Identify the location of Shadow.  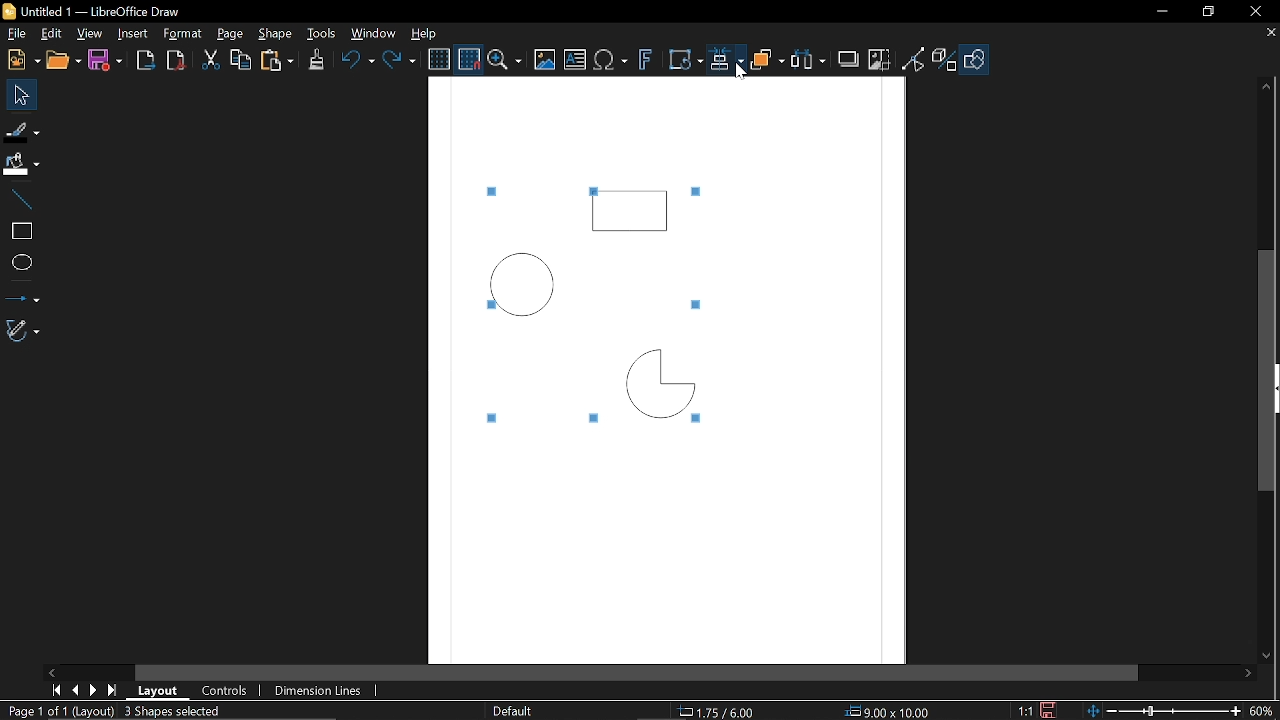
(849, 59).